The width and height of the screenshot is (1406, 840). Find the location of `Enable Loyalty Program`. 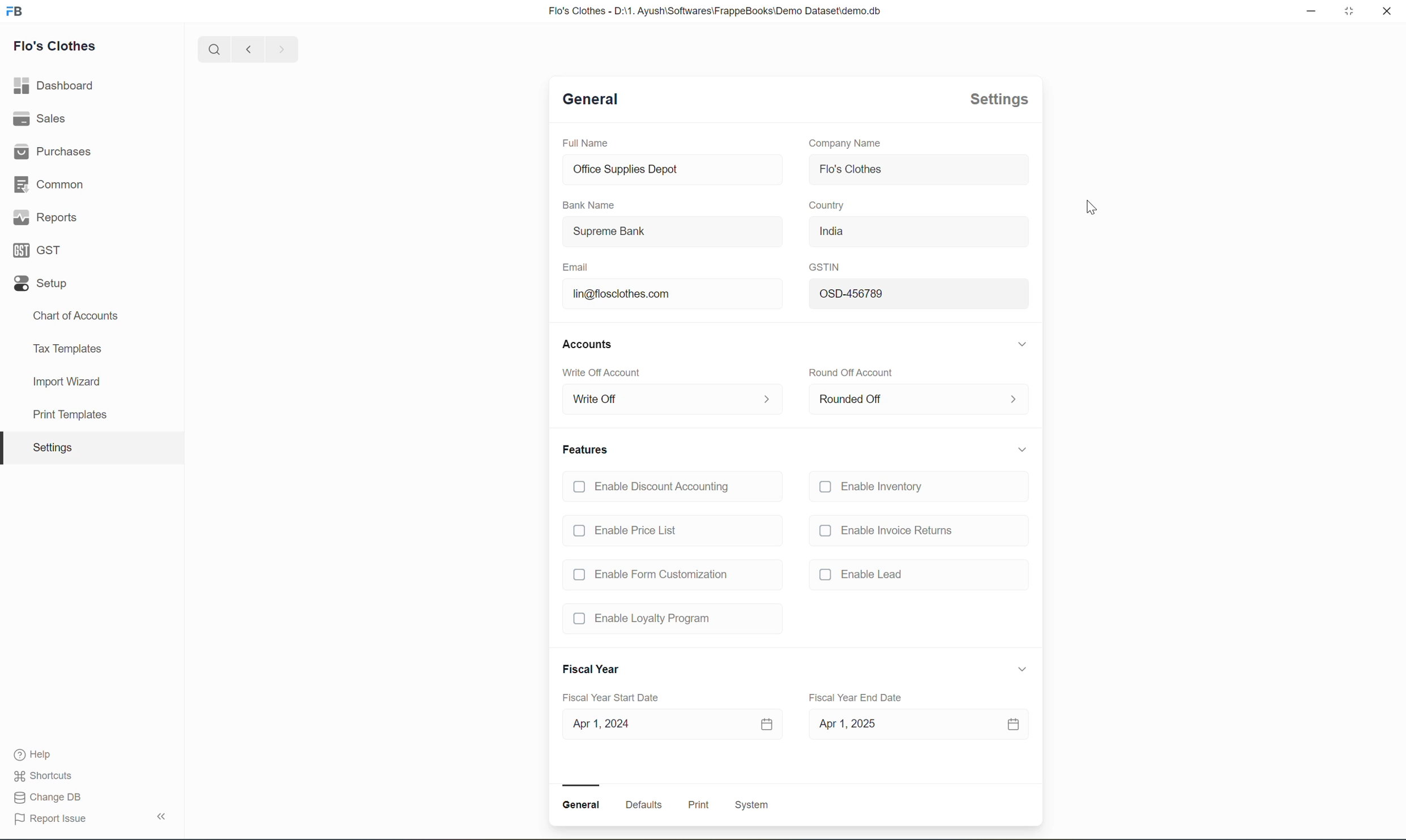

Enable Loyalty Program is located at coordinates (643, 619).